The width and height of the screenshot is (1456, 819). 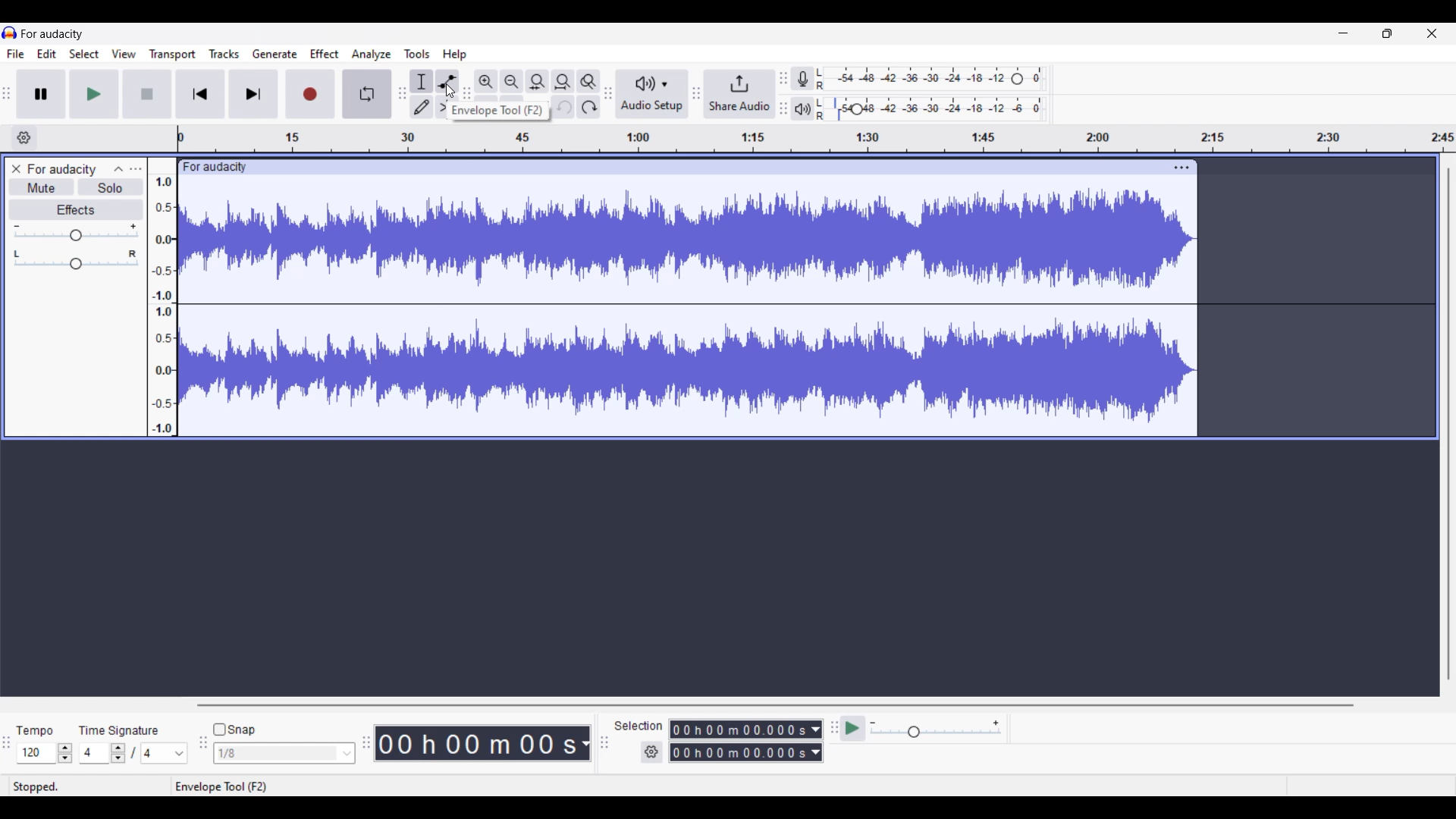 I want to click on play at speed, so click(x=853, y=728).